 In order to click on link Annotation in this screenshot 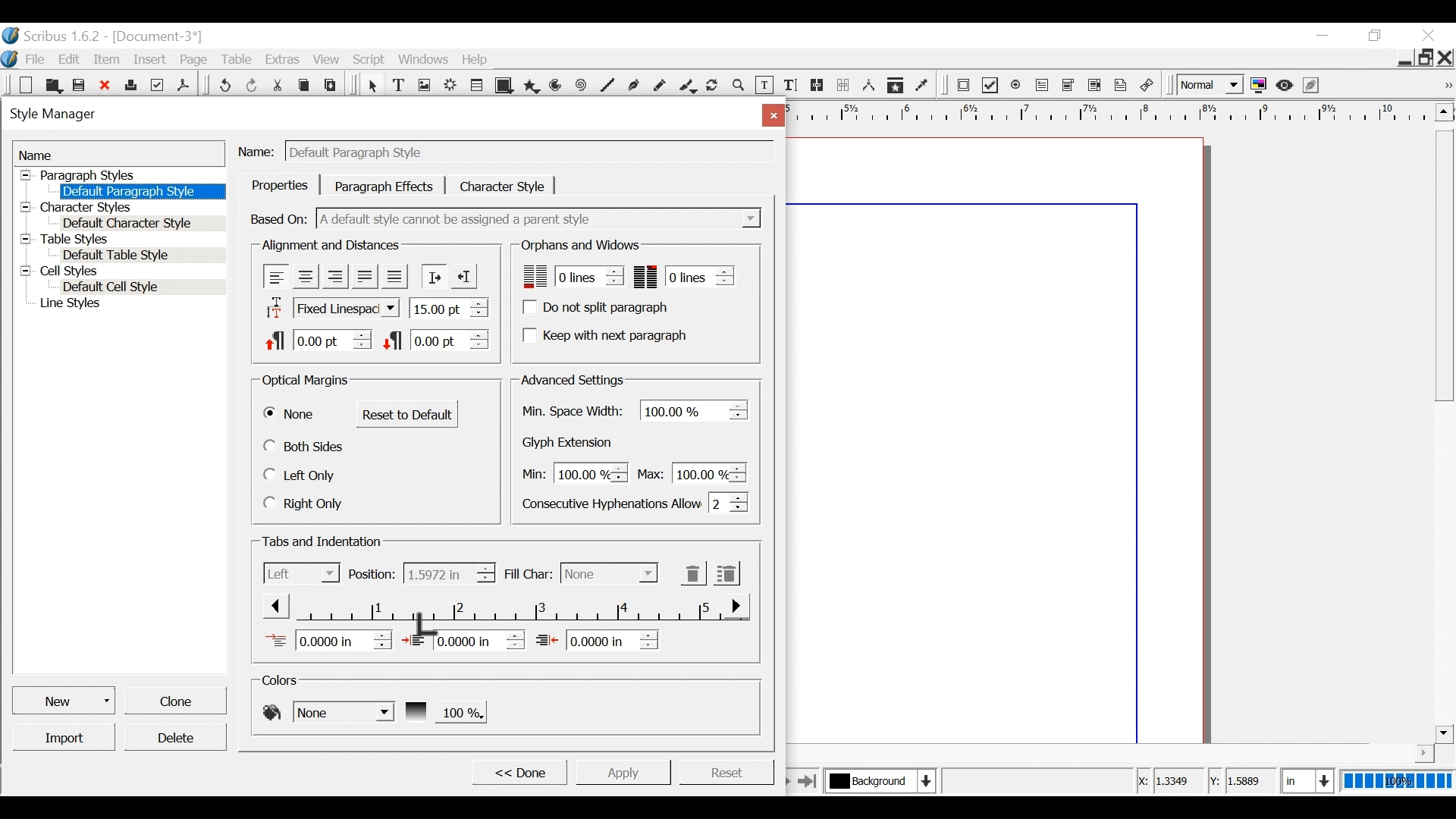, I will do `click(1147, 86)`.